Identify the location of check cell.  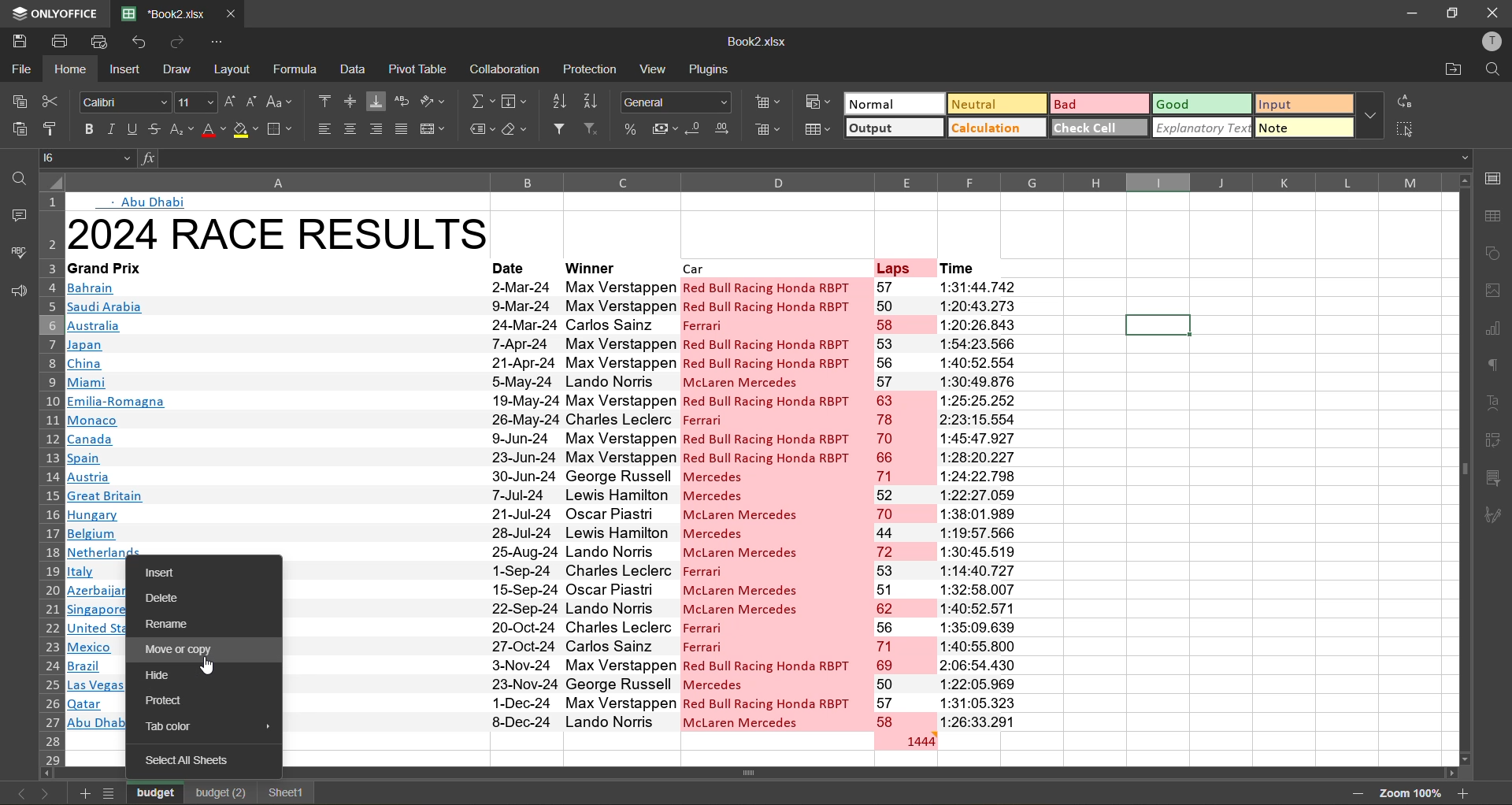
(1099, 127).